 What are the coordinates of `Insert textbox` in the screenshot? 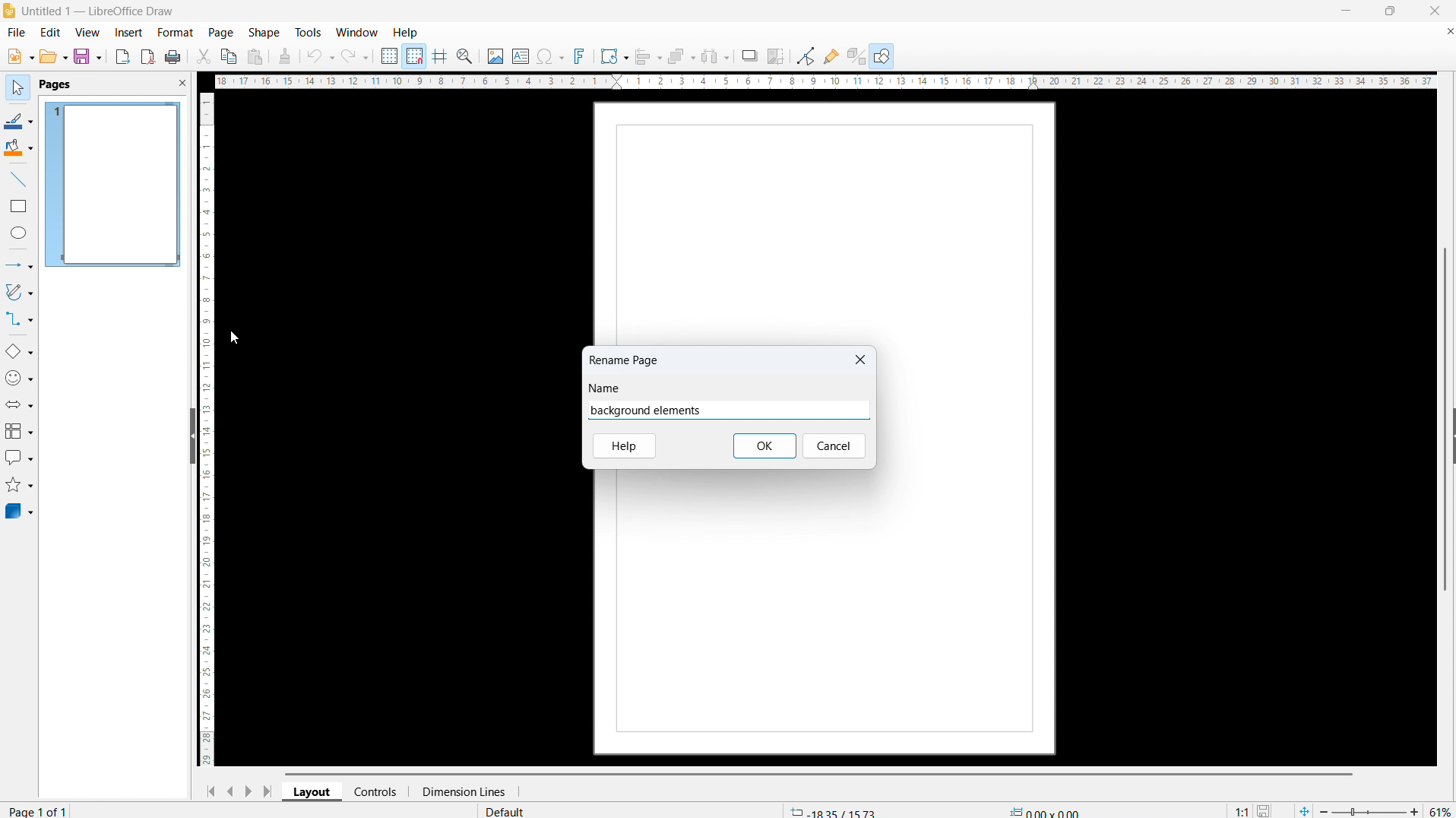 It's located at (521, 56).